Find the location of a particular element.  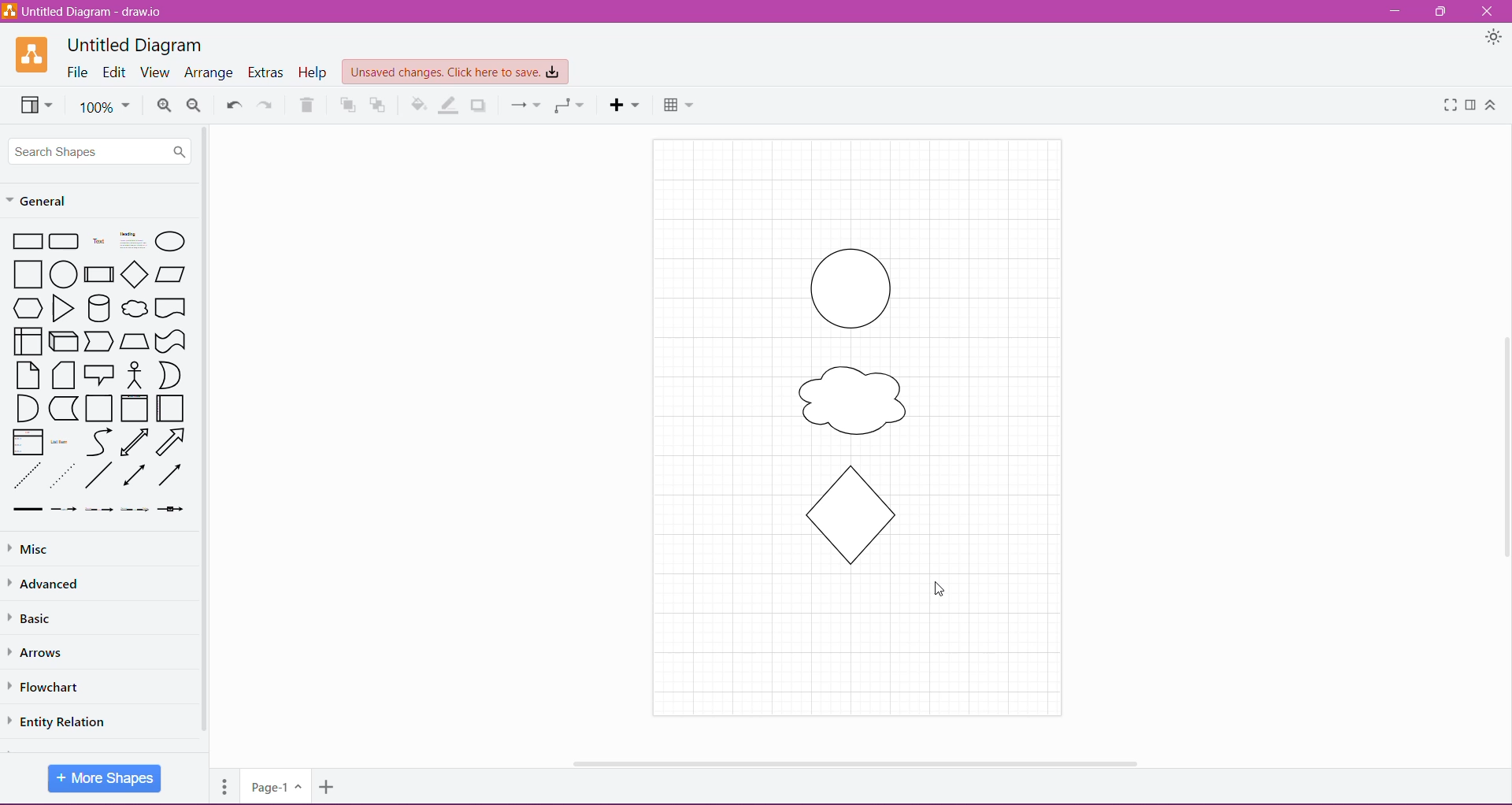

Misc is located at coordinates (31, 550).